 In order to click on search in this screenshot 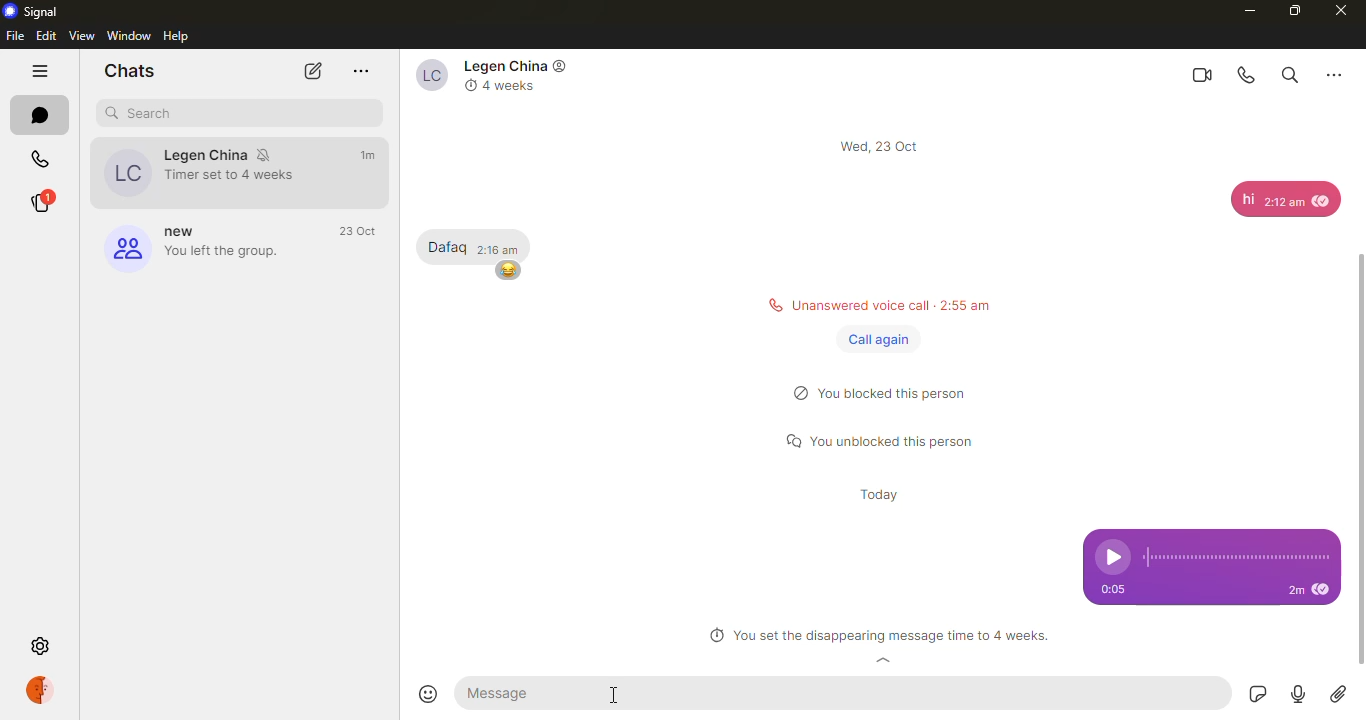, I will do `click(1288, 73)`.